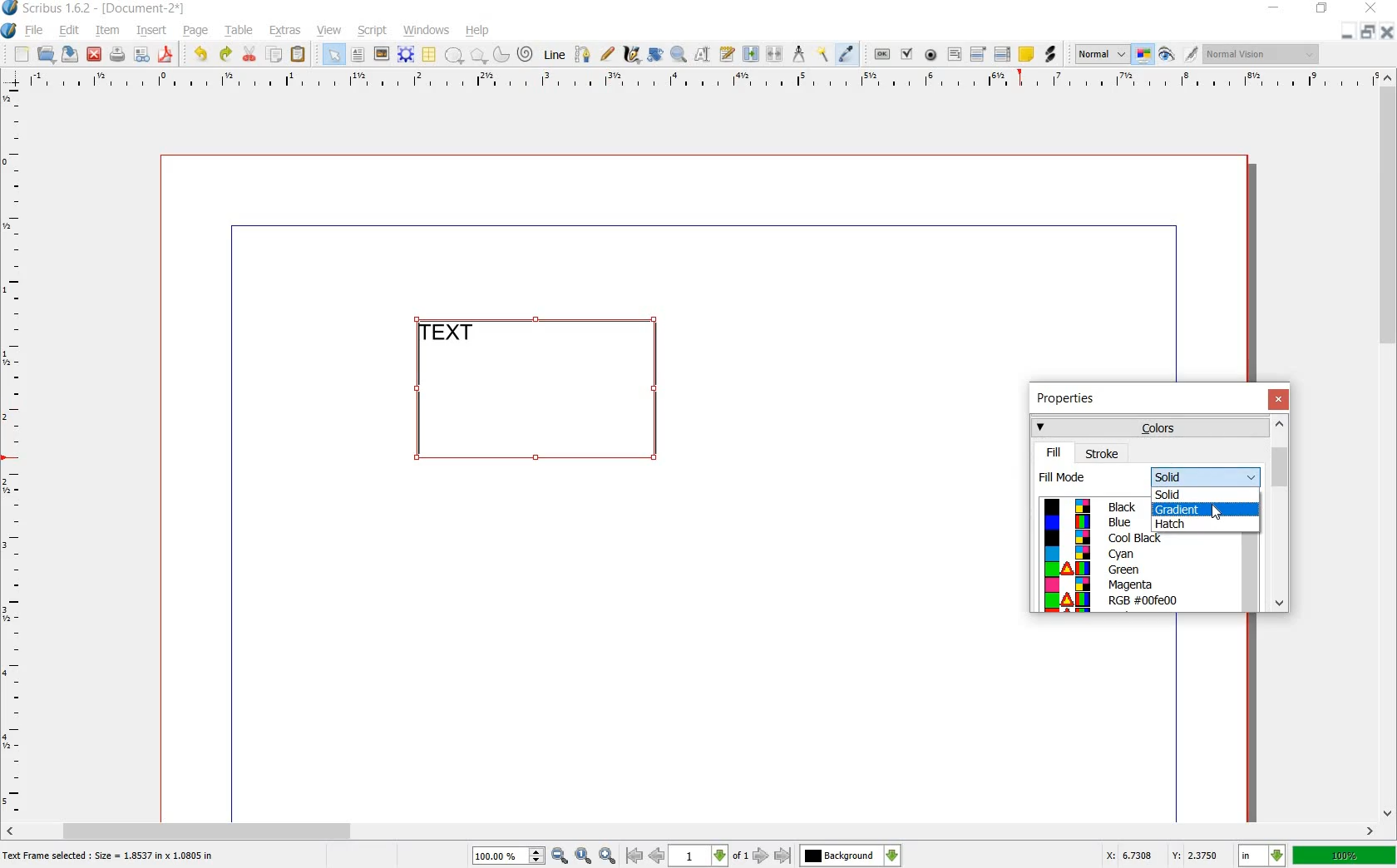 The image size is (1397, 868). I want to click on stroke, so click(1103, 453).